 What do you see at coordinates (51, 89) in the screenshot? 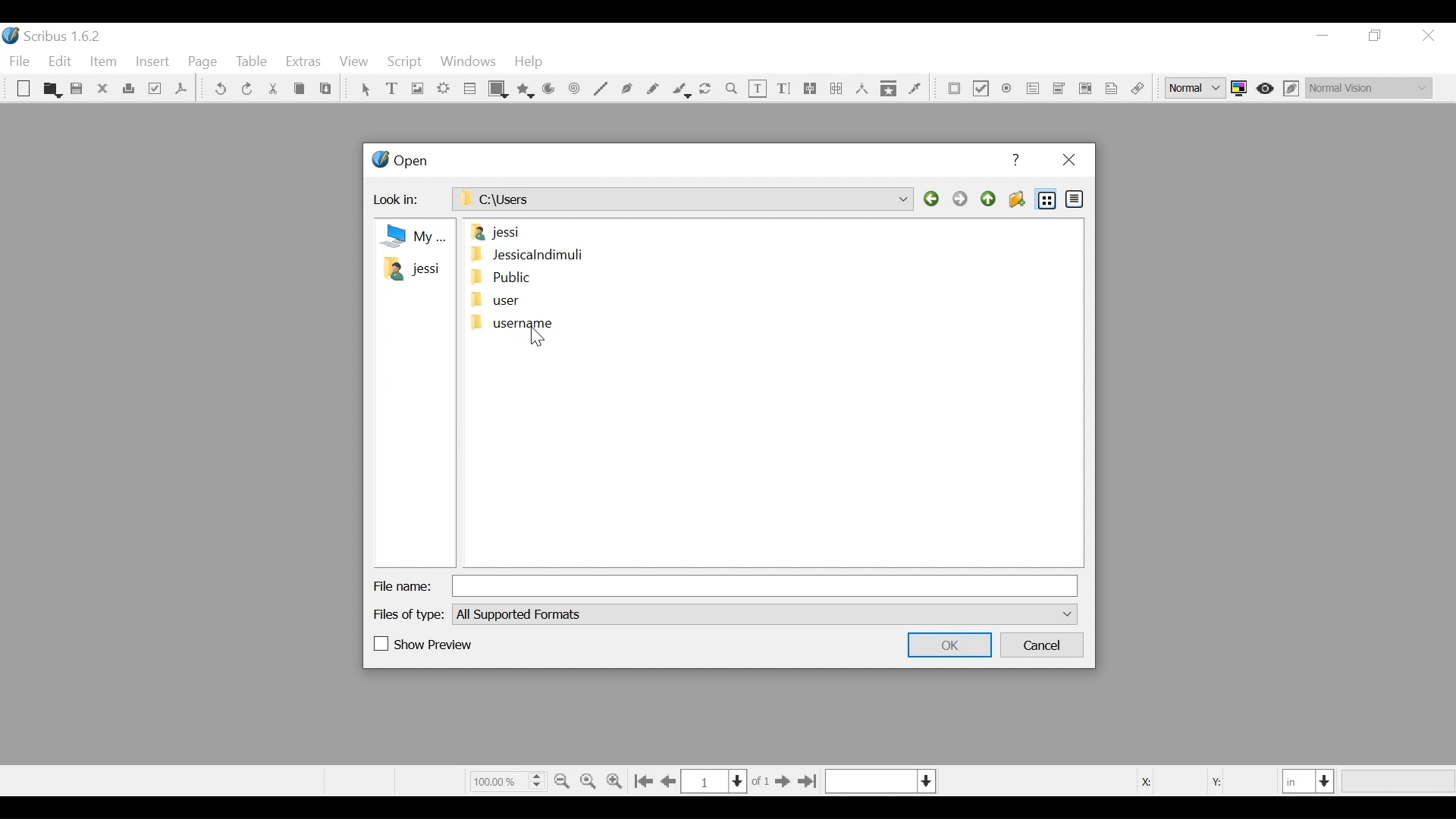
I see `Open` at bounding box center [51, 89].